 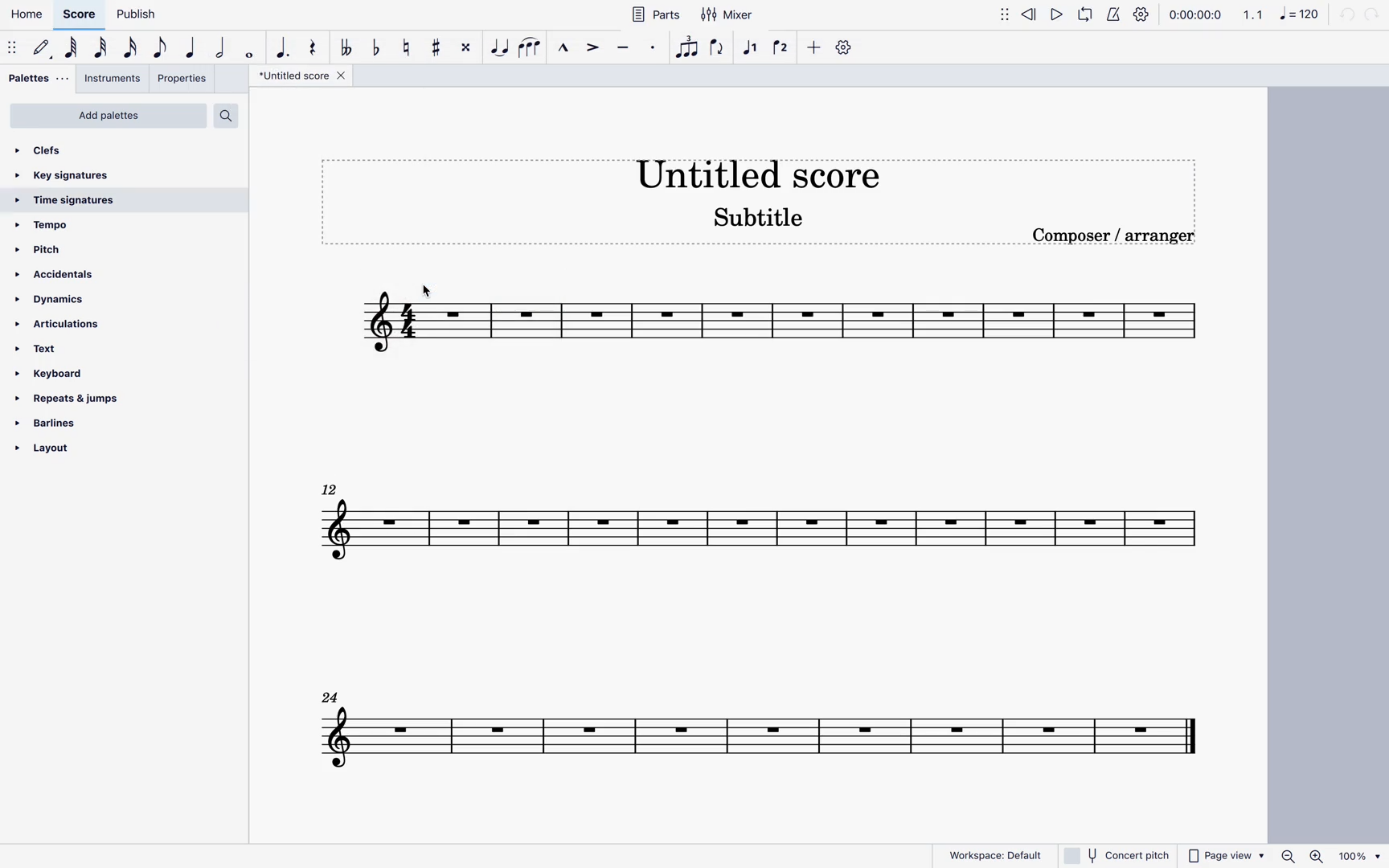 What do you see at coordinates (64, 323) in the screenshot?
I see `articulations` at bounding box center [64, 323].